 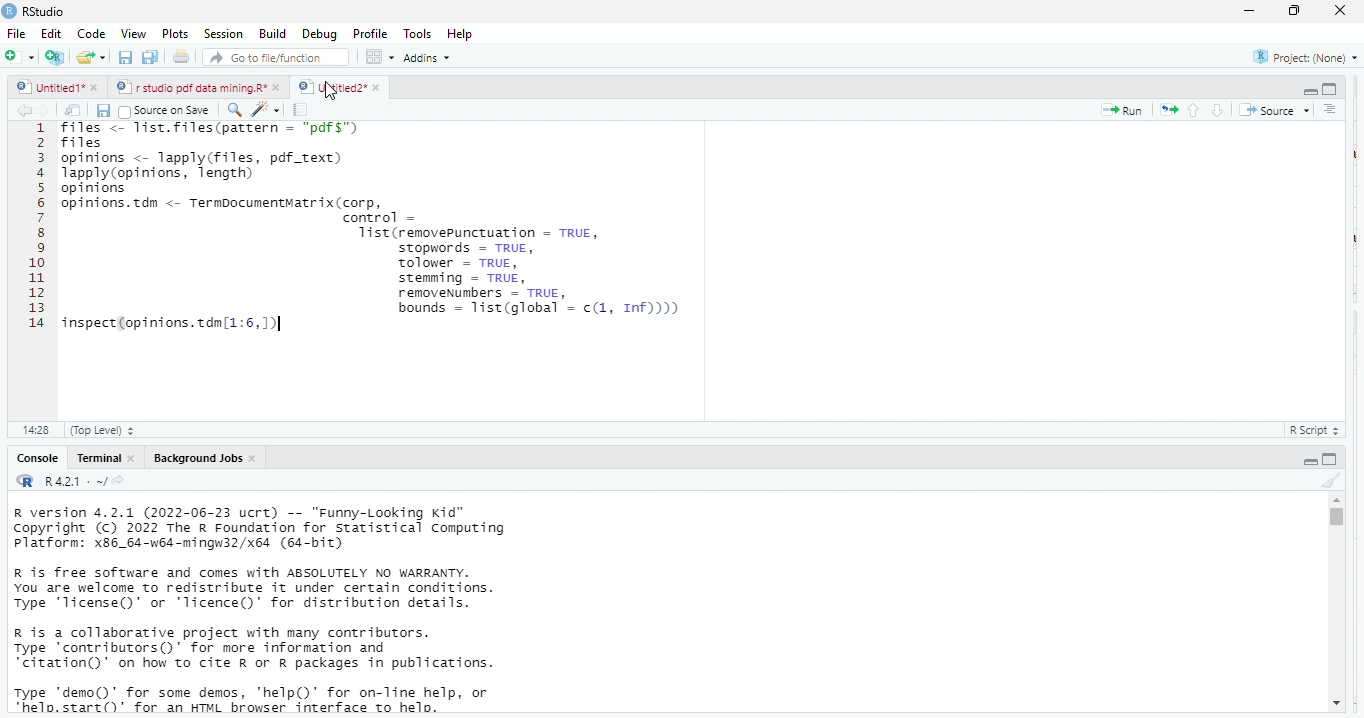 I want to click on tools, so click(x=420, y=32).